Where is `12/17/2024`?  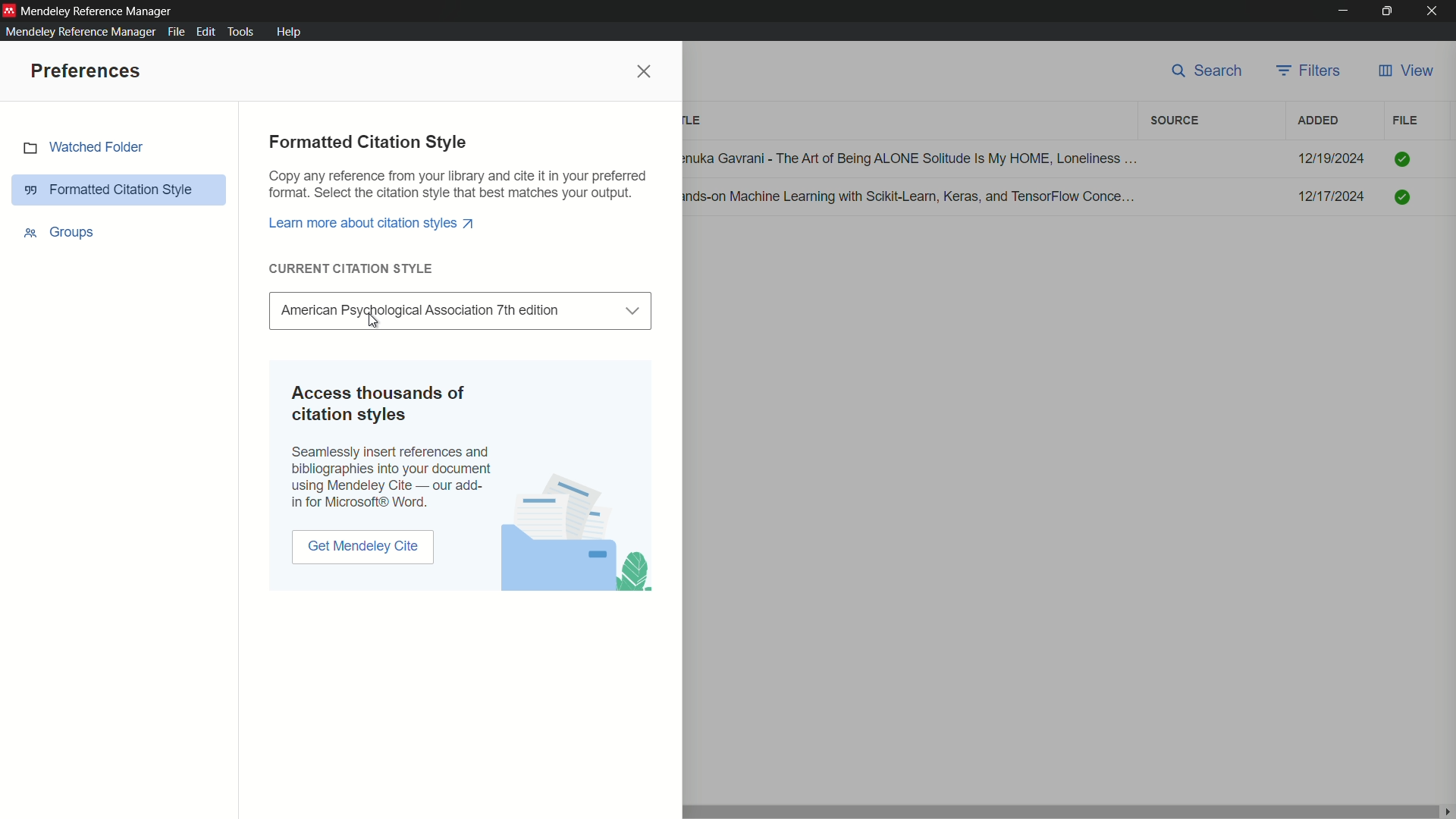 12/17/2024 is located at coordinates (1332, 196).